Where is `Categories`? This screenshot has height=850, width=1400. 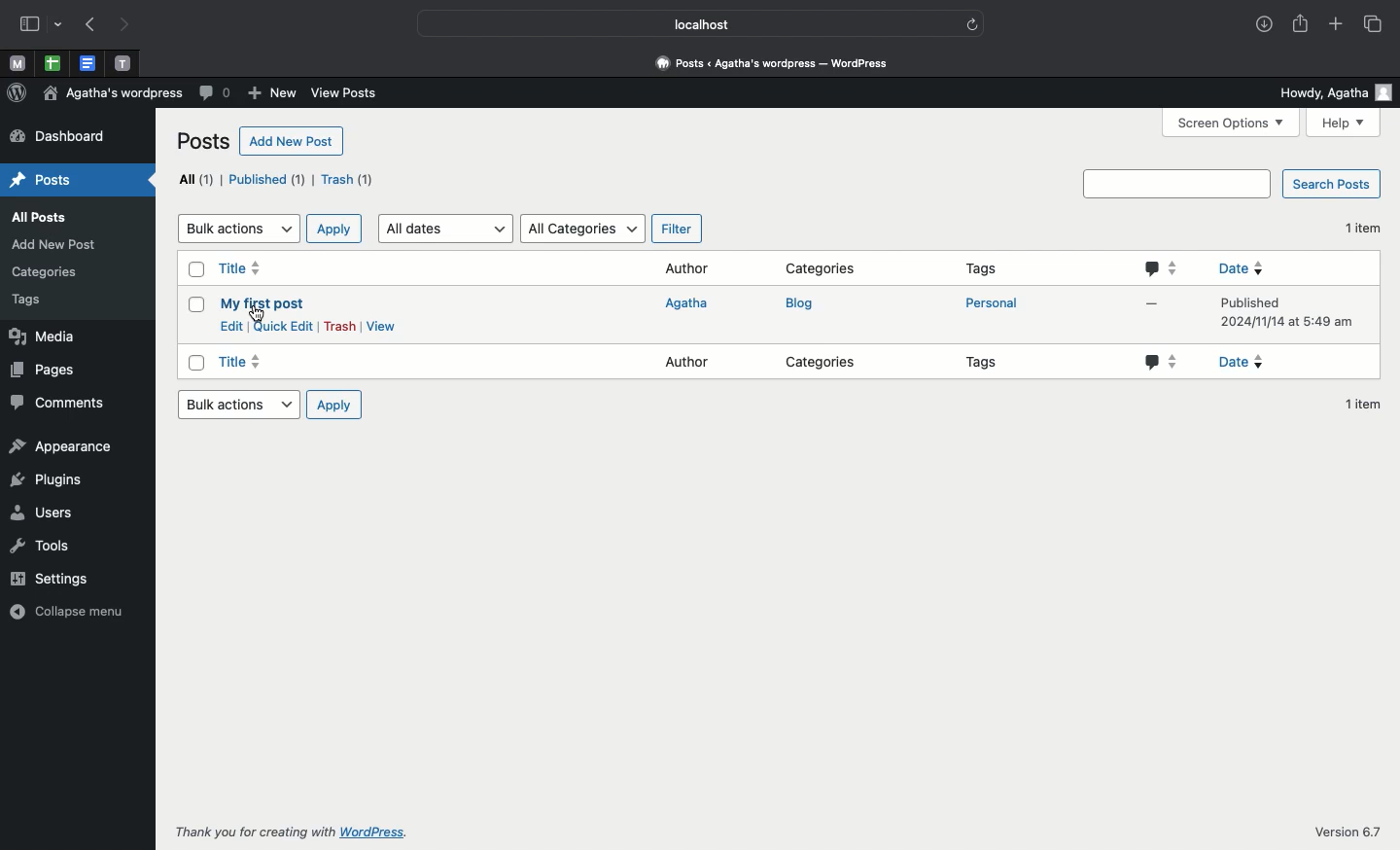
Categories is located at coordinates (45, 275).